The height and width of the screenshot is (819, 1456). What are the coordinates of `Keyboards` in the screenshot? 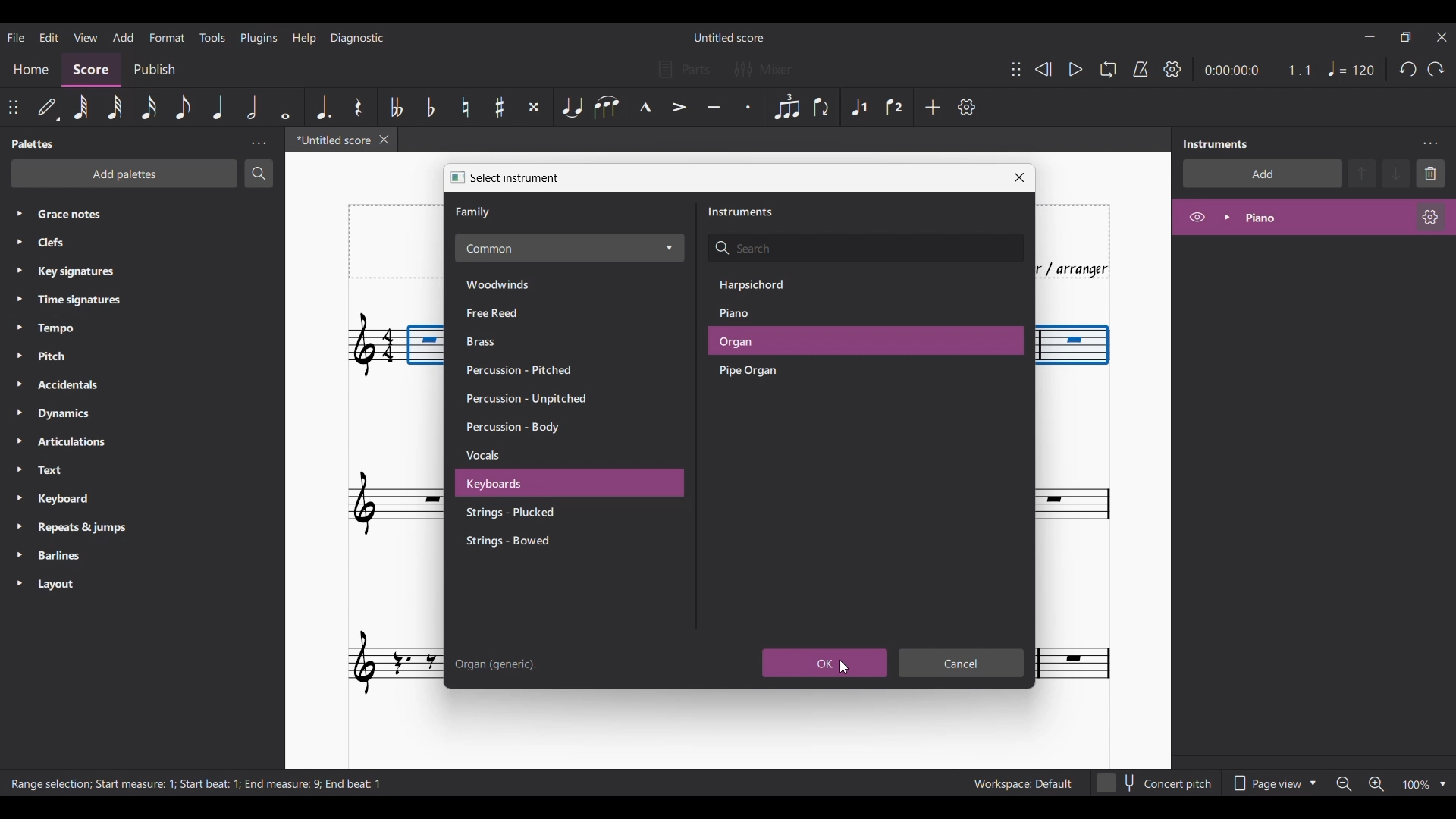 It's located at (529, 485).